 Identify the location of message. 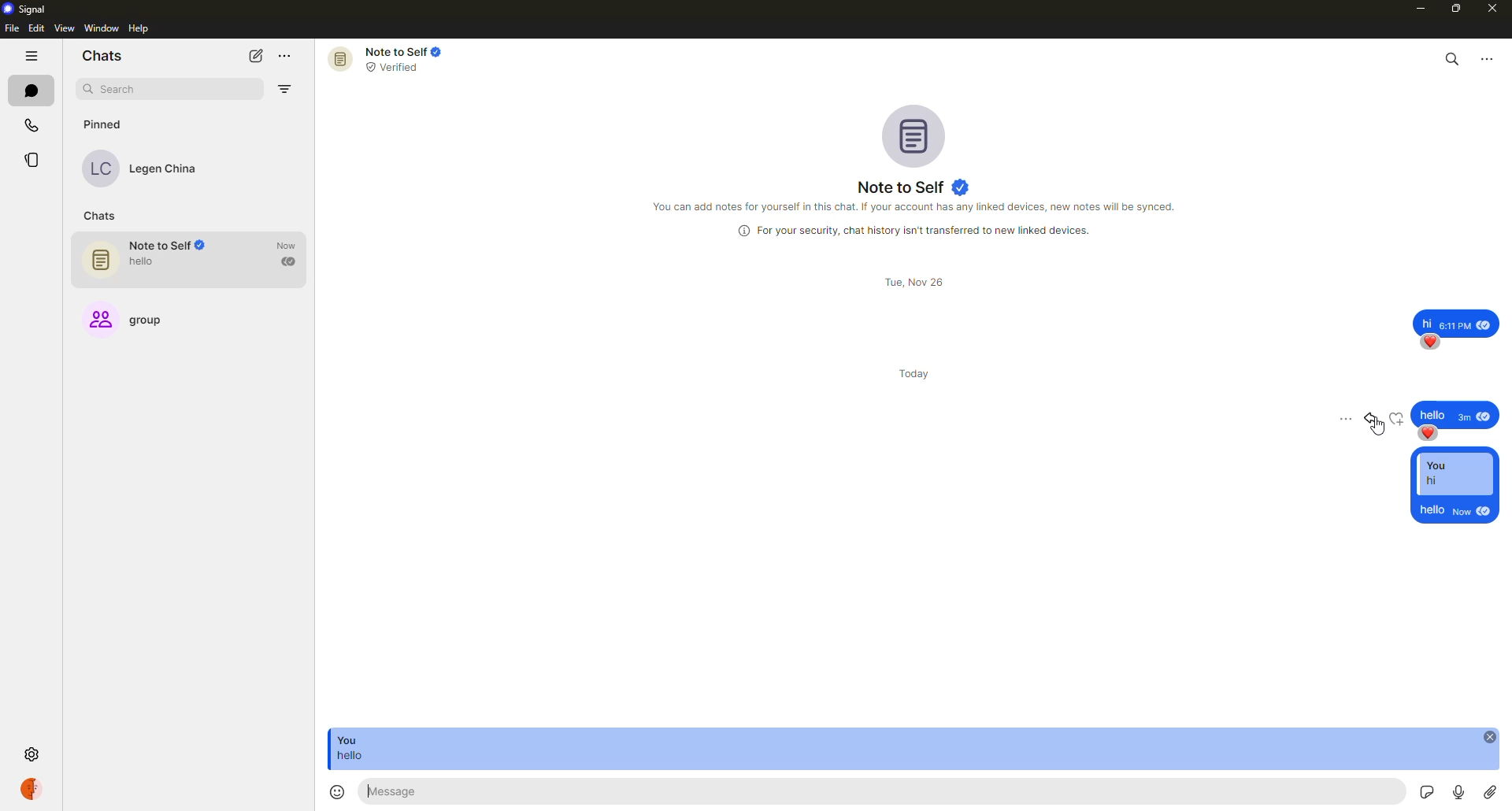
(1457, 321).